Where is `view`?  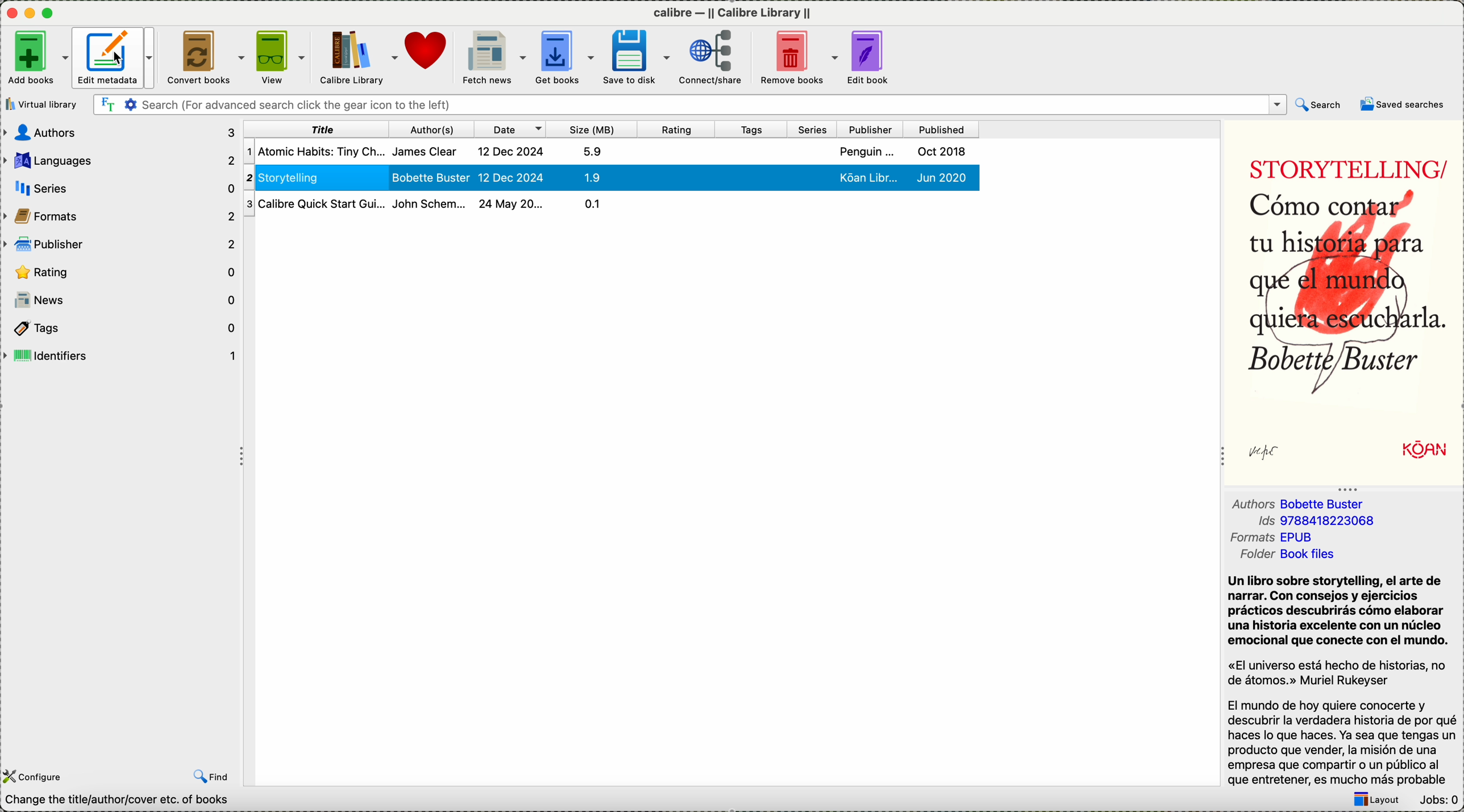 view is located at coordinates (280, 56).